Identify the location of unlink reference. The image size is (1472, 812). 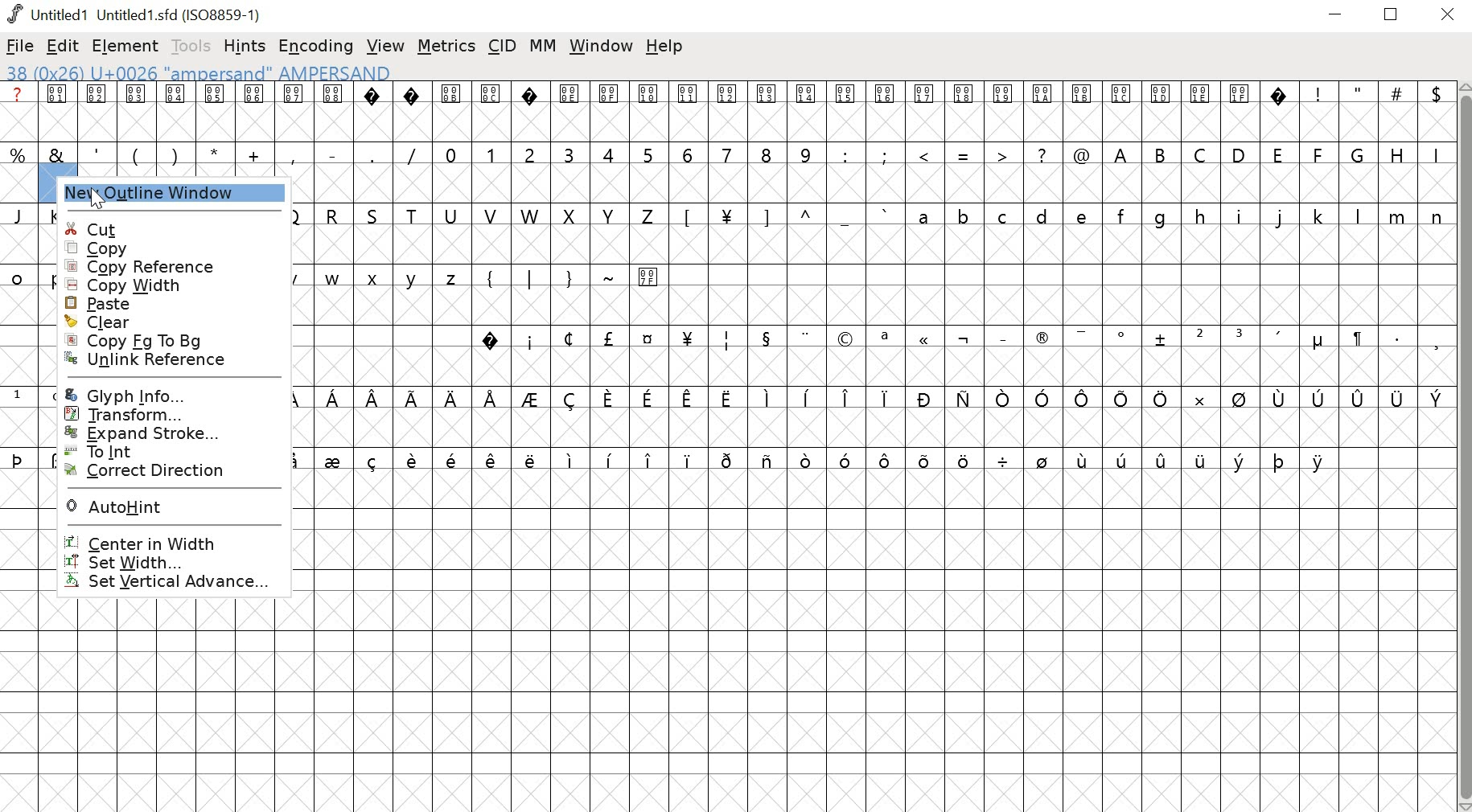
(169, 361).